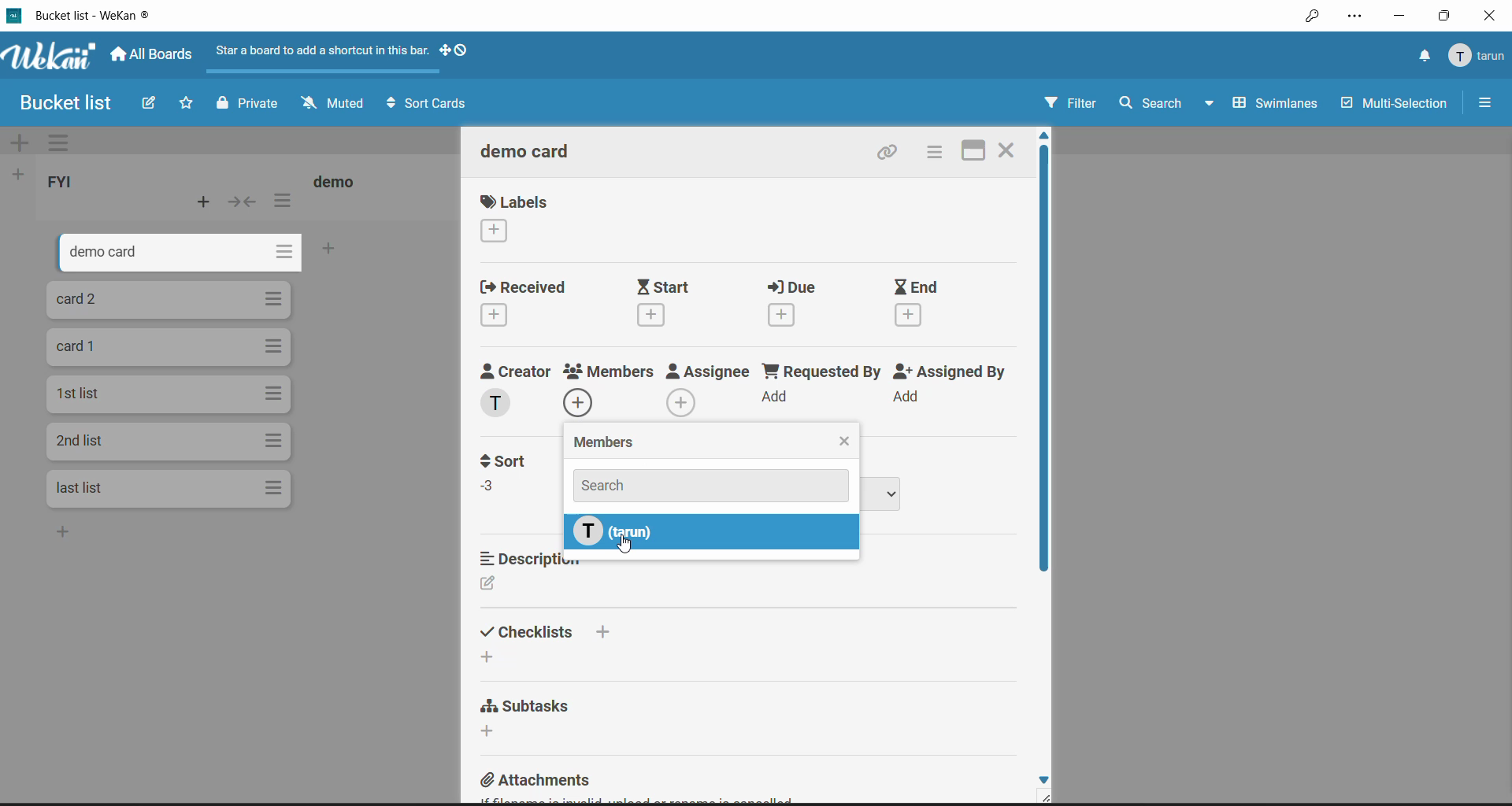 The image size is (1512, 806). Describe the element at coordinates (81, 441) in the screenshot. I see `card title` at that location.